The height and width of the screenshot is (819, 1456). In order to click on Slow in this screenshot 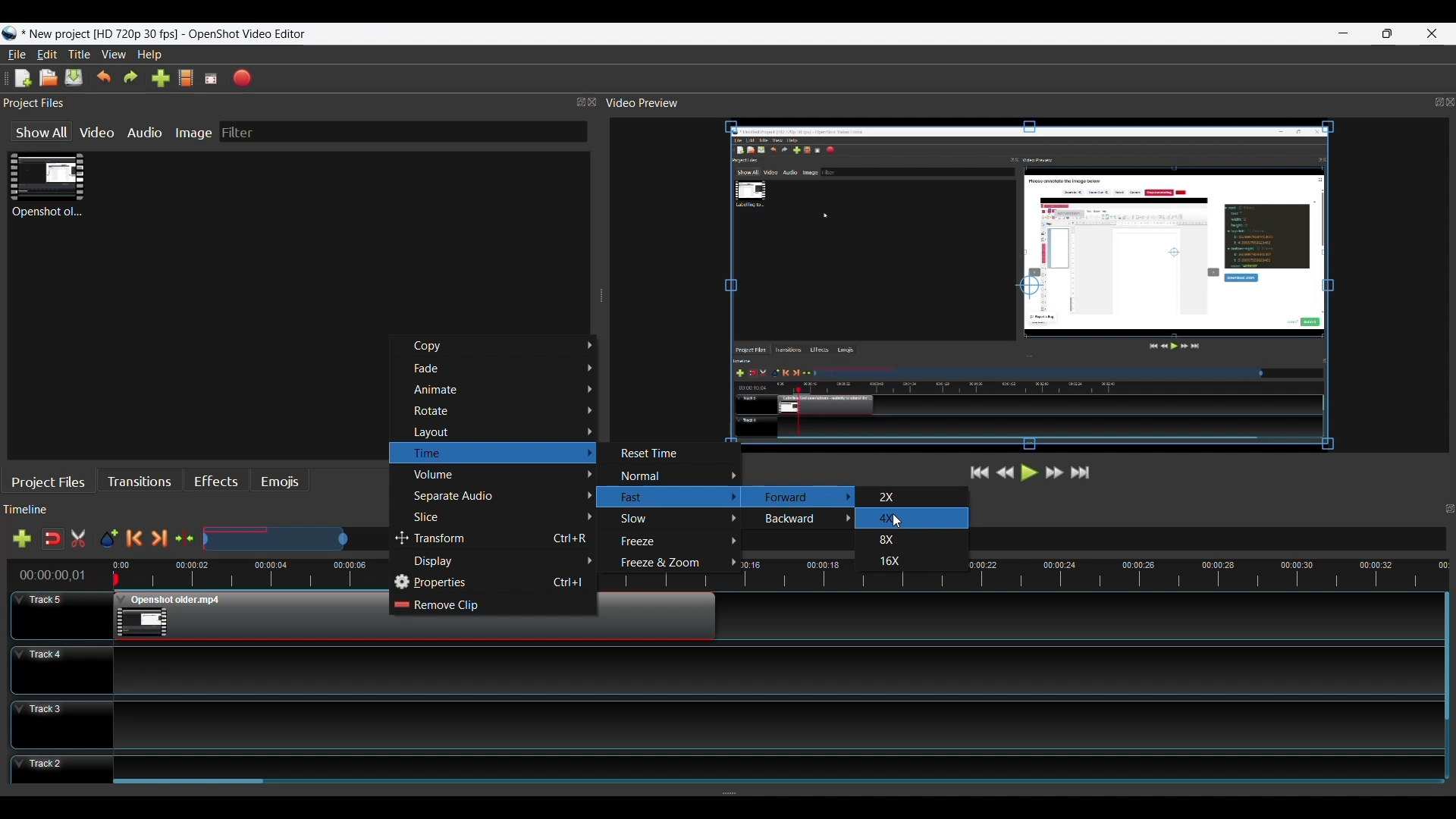, I will do `click(674, 519)`.